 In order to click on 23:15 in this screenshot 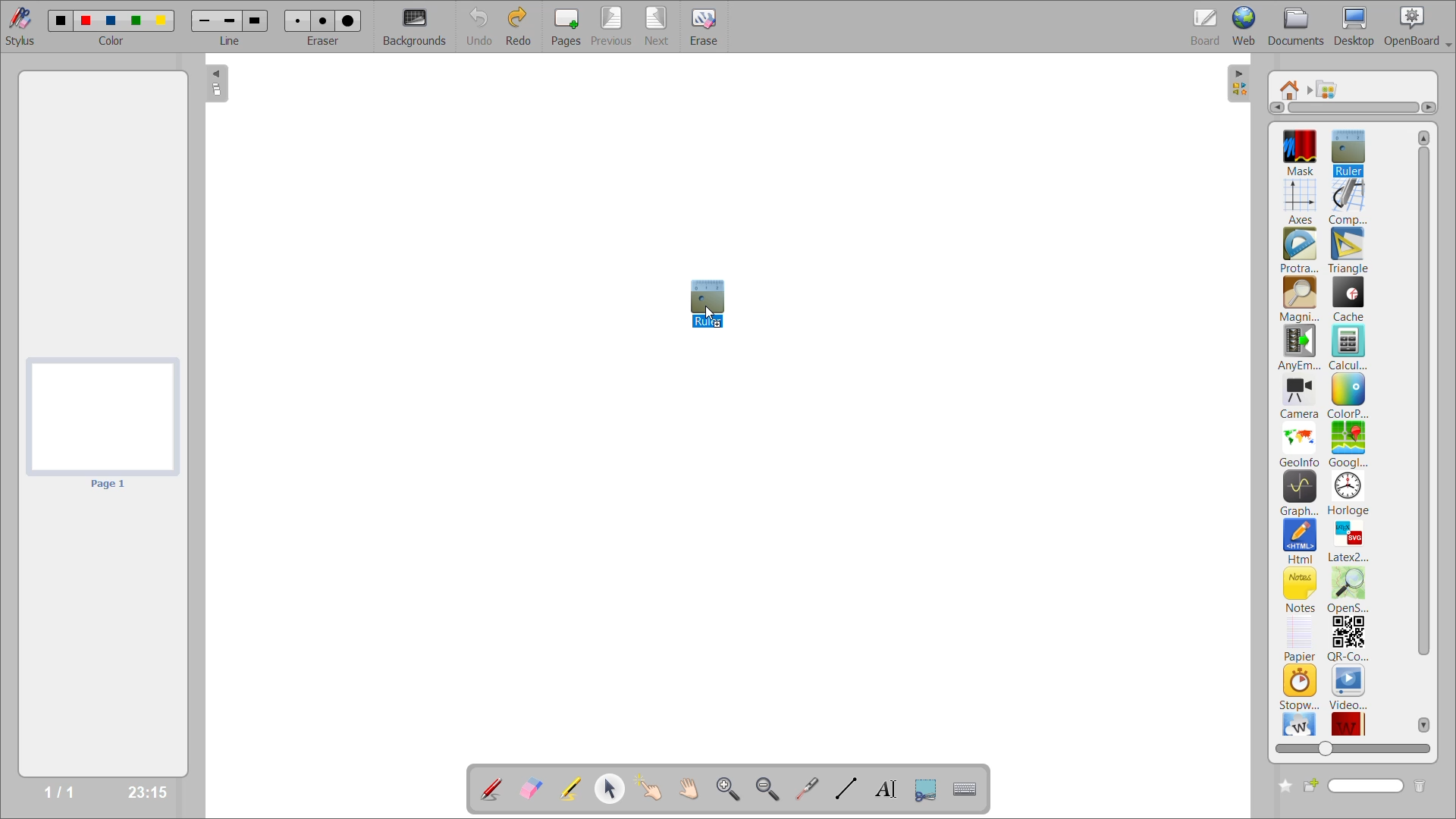, I will do `click(146, 791)`.